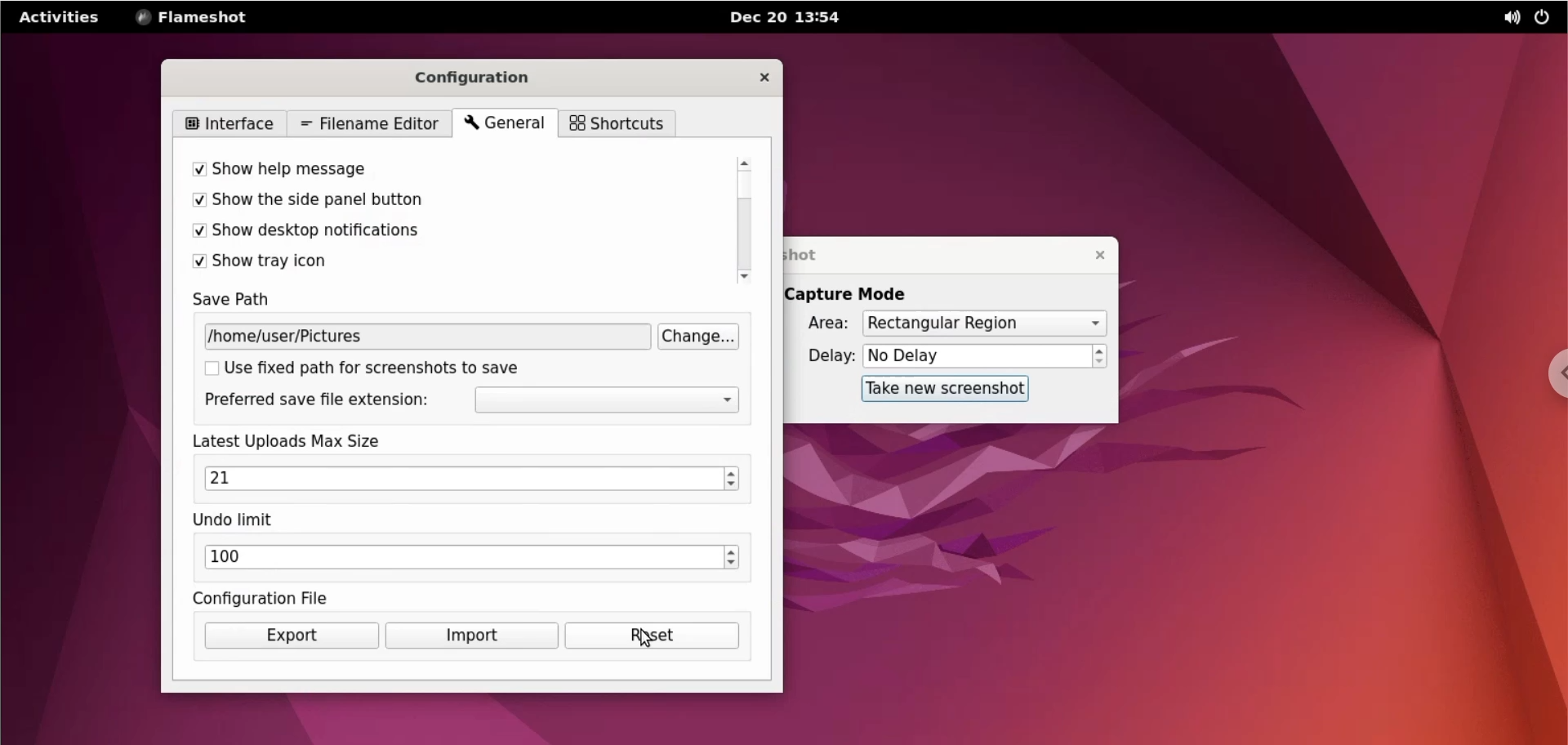  What do you see at coordinates (983, 324) in the screenshot?
I see `capture mode area options` at bounding box center [983, 324].